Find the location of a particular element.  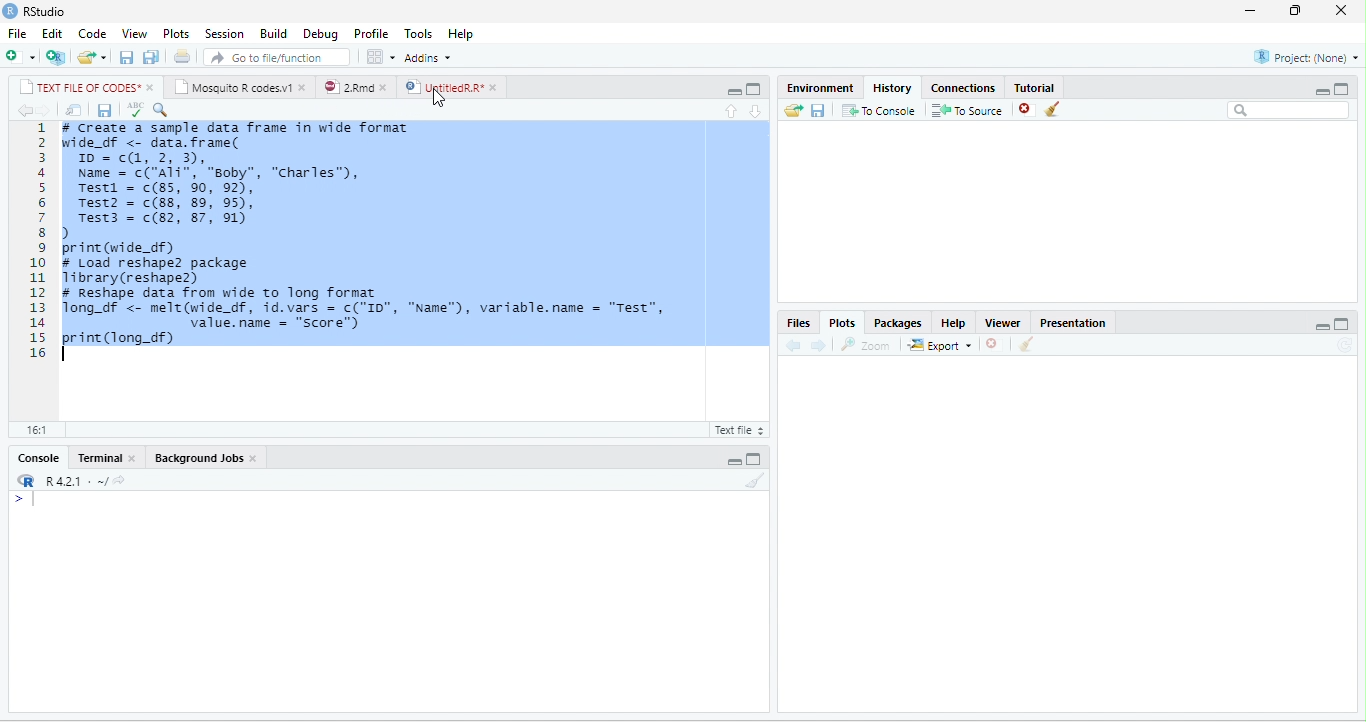

Plots is located at coordinates (177, 34).